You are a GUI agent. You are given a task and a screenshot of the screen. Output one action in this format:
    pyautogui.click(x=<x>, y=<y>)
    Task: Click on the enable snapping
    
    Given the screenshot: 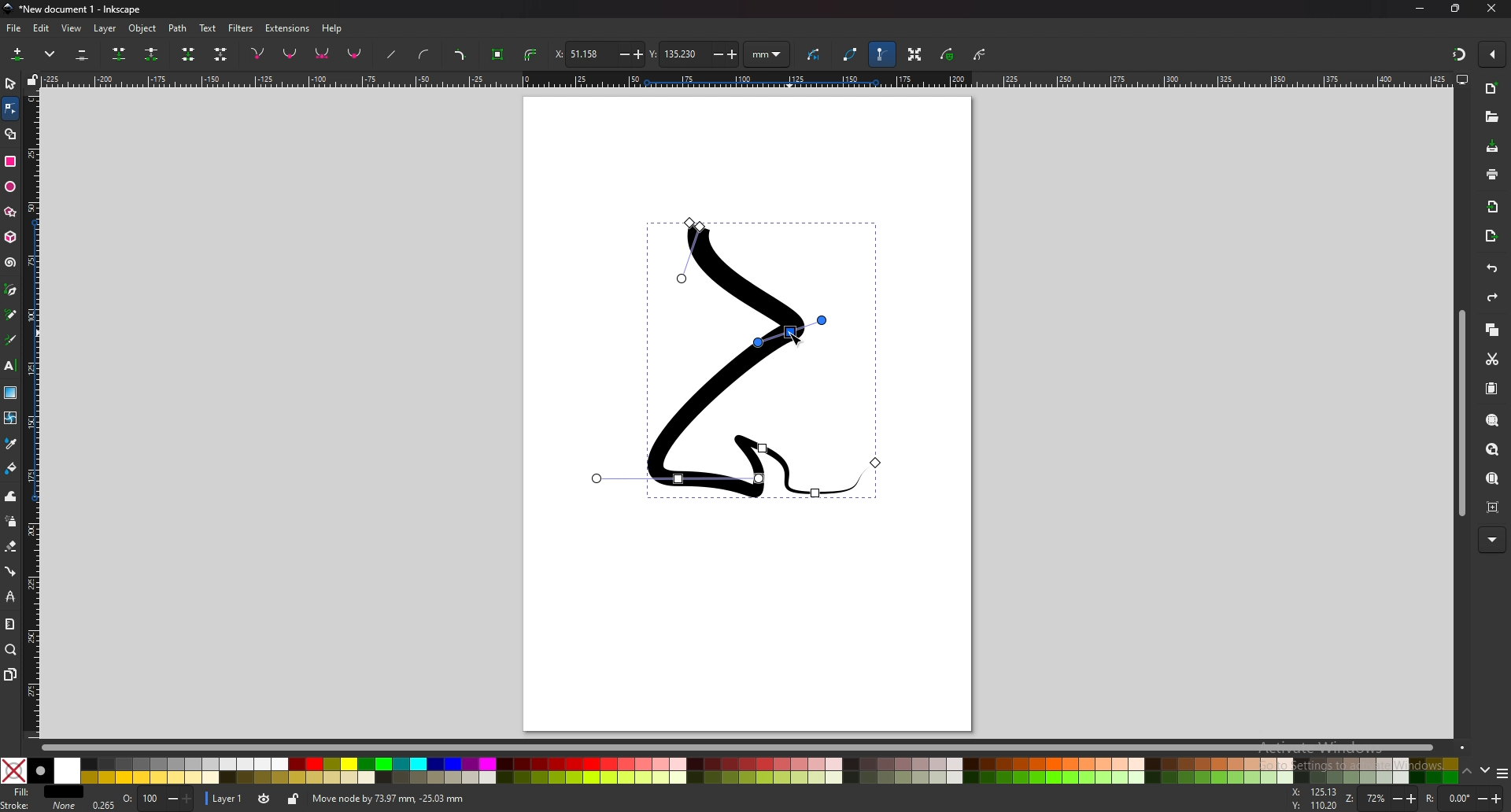 What is the action you would take?
    pyautogui.click(x=1494, y=54)
    